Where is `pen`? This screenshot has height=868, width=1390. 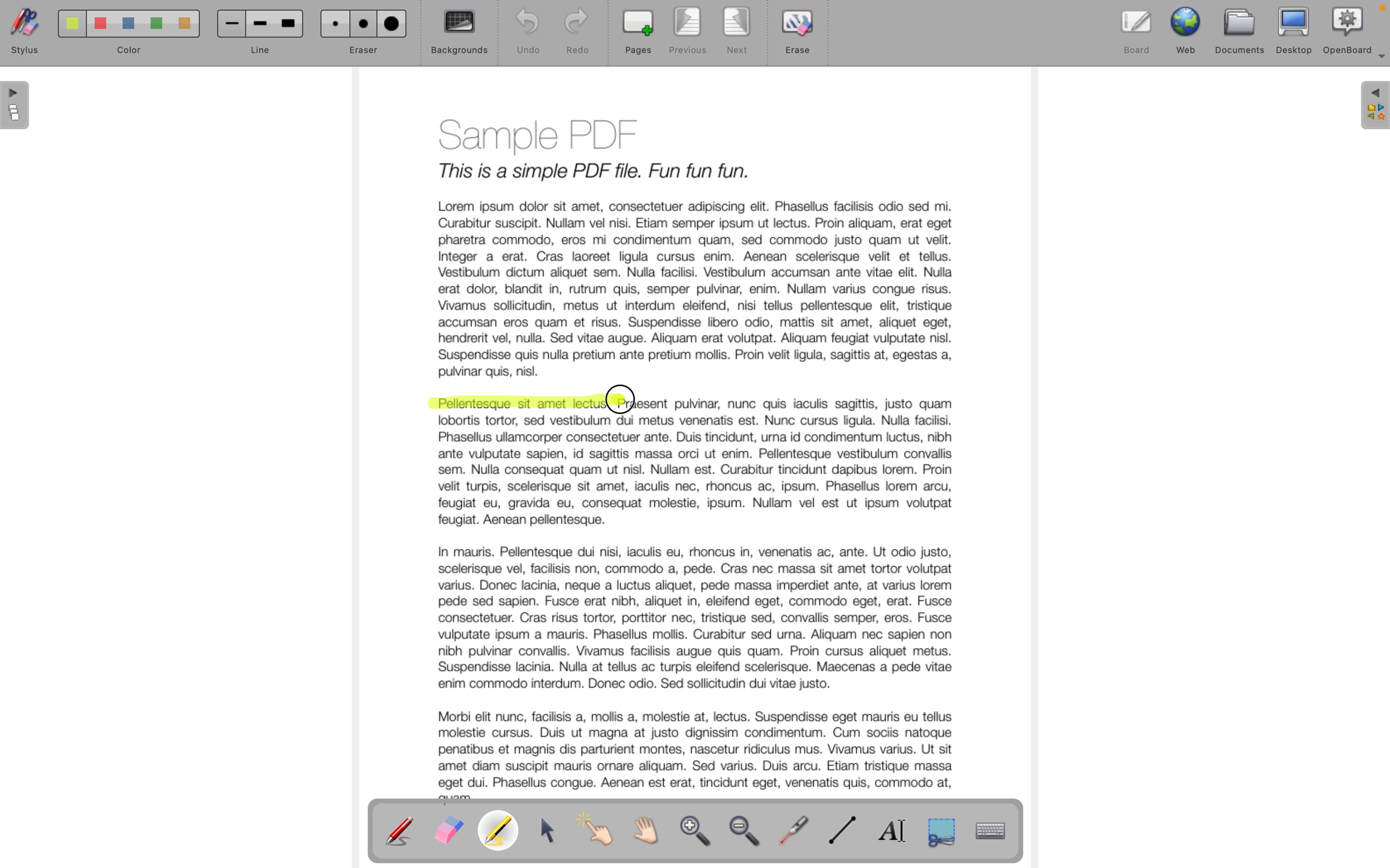
pen is located at coordinates (400, 830).